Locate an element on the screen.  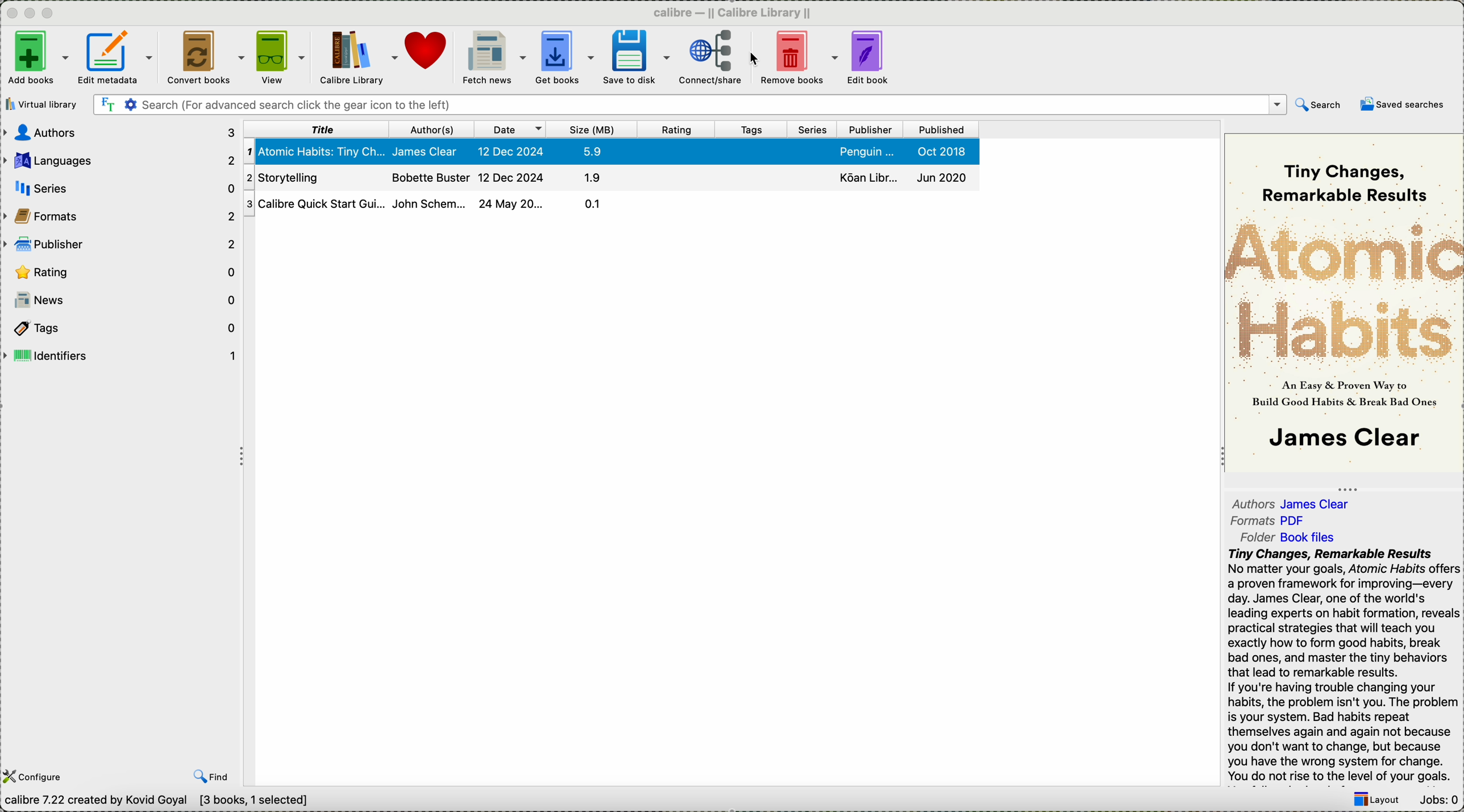
save to disk is located at coordinates (636, 57).